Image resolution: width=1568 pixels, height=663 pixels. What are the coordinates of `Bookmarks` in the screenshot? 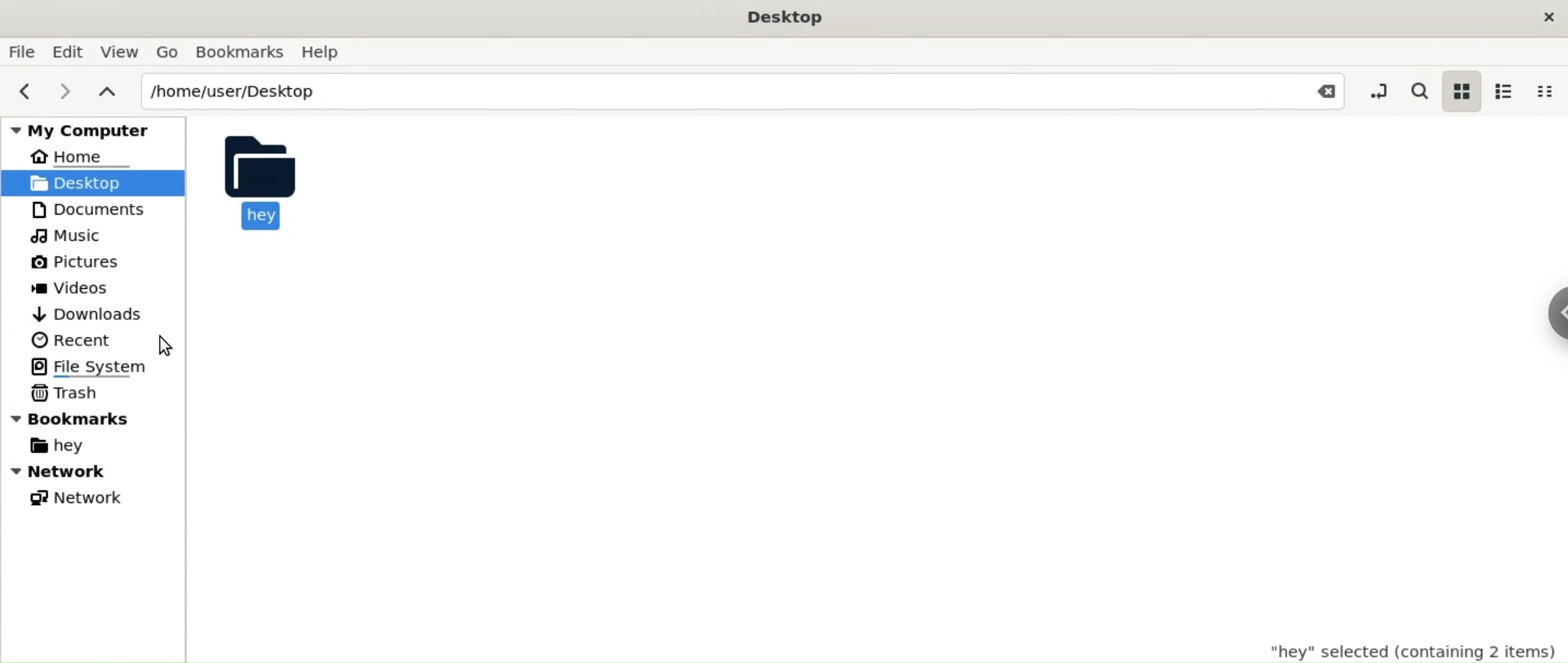 It's located at (241, 51).